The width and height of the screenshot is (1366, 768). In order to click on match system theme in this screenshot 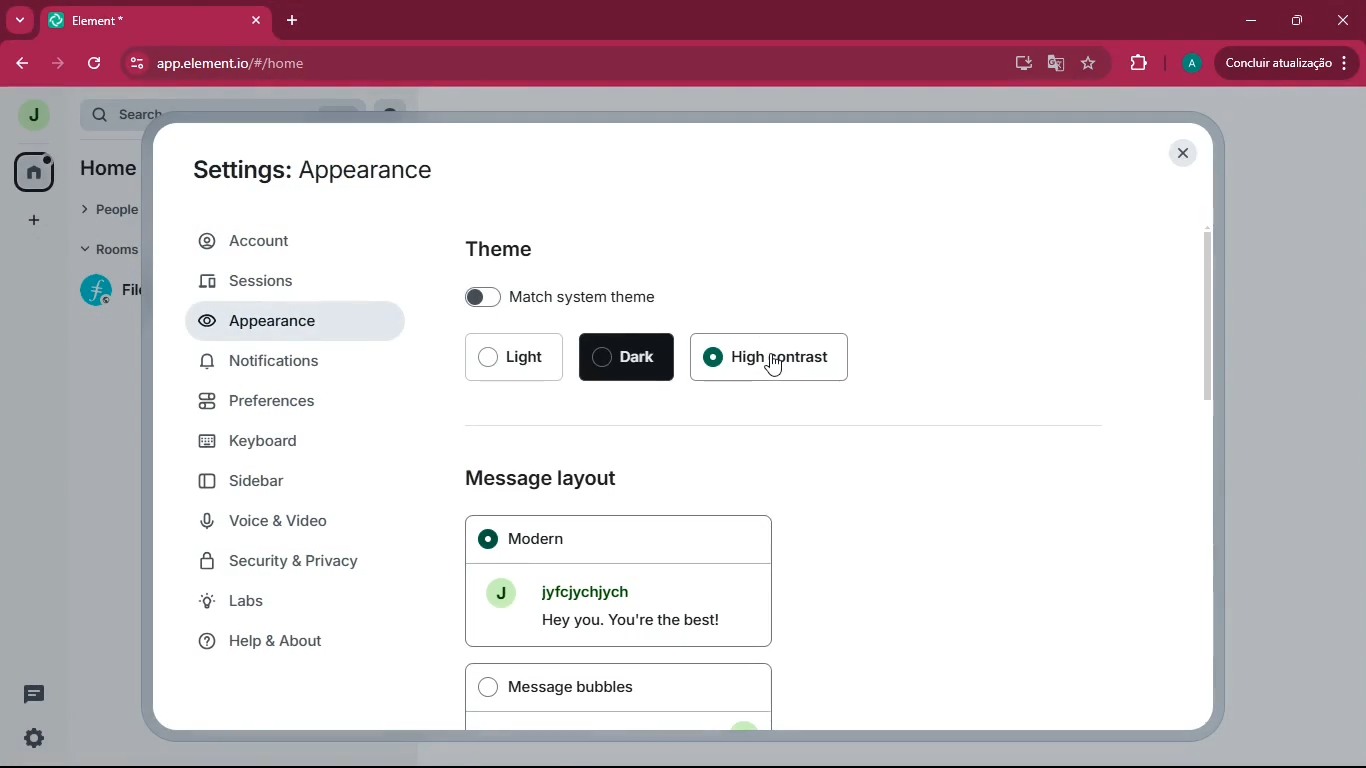, I will do `click(684, 296)`.